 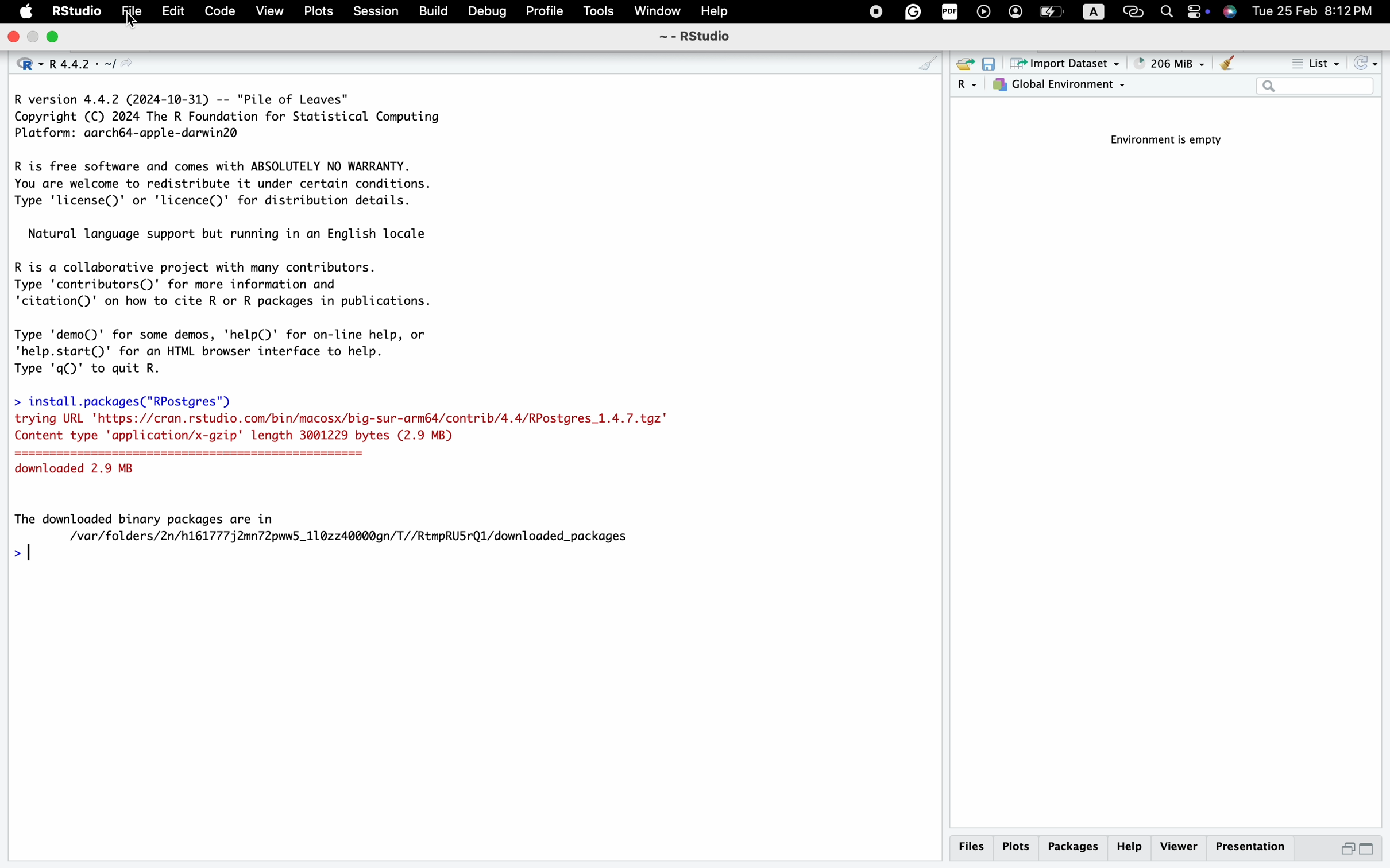 What do you see at coordinates (316, 11) in the screenshot?
I see `plots` at bounding box center [316, 11].